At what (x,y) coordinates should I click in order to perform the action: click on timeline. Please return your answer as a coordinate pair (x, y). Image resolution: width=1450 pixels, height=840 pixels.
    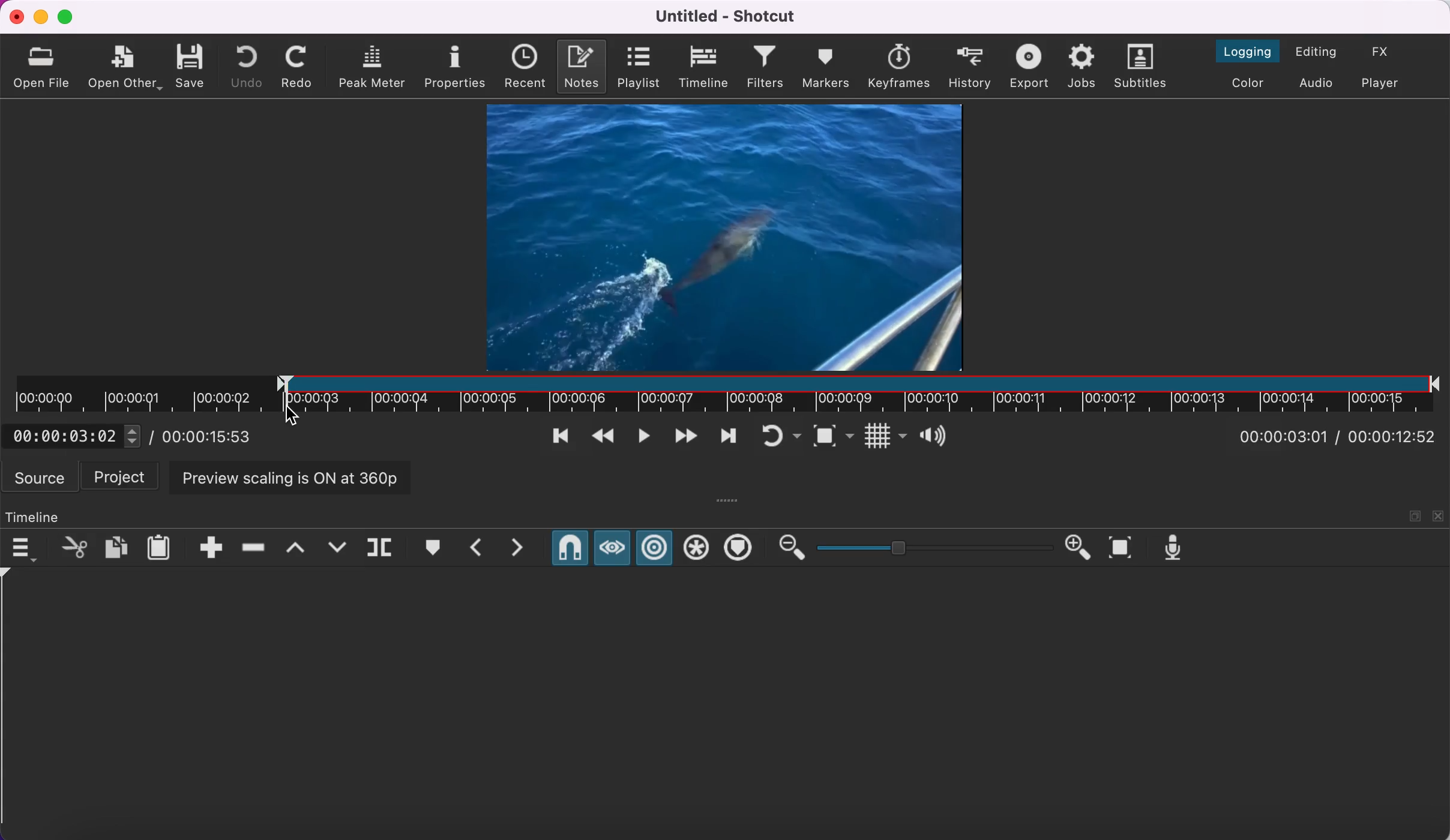
    Looking at the image, I should click on (703, 67).